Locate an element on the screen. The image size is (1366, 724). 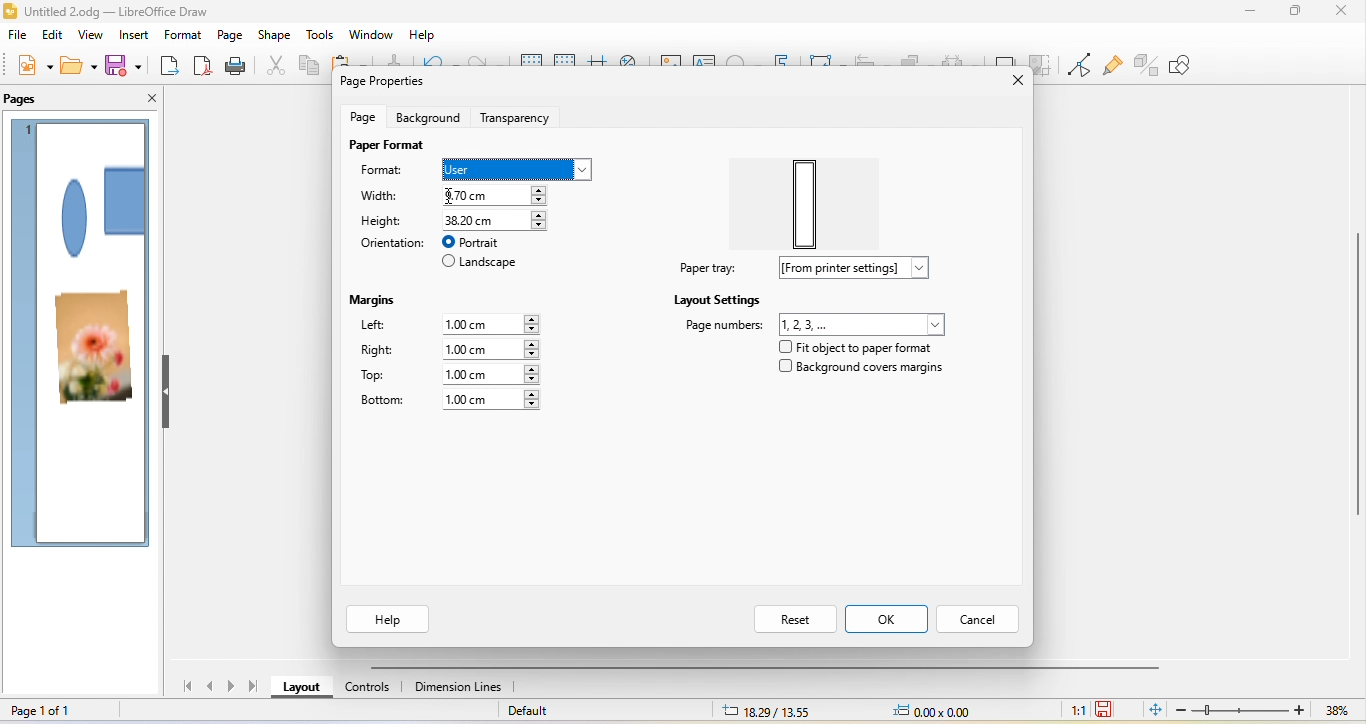
hide is located at coordinates (165, 393).